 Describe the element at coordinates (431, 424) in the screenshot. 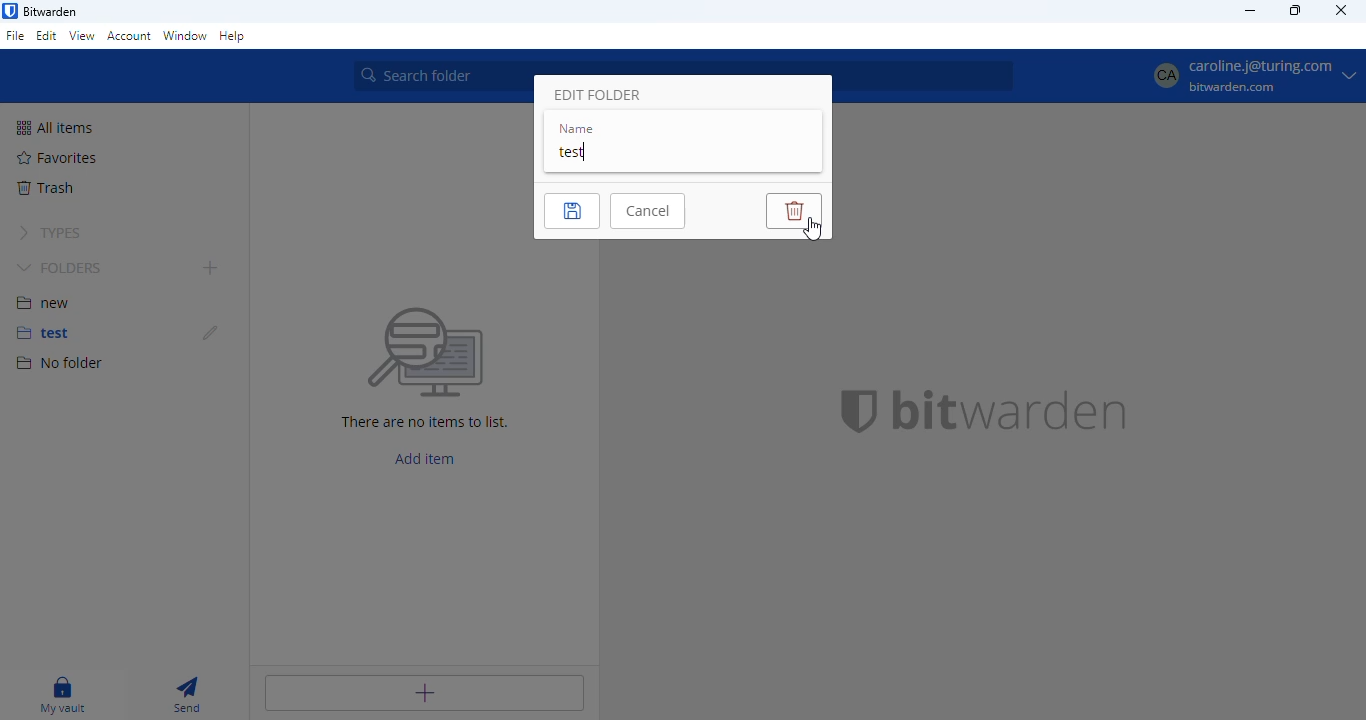

I see `There are no items to list` at that location.